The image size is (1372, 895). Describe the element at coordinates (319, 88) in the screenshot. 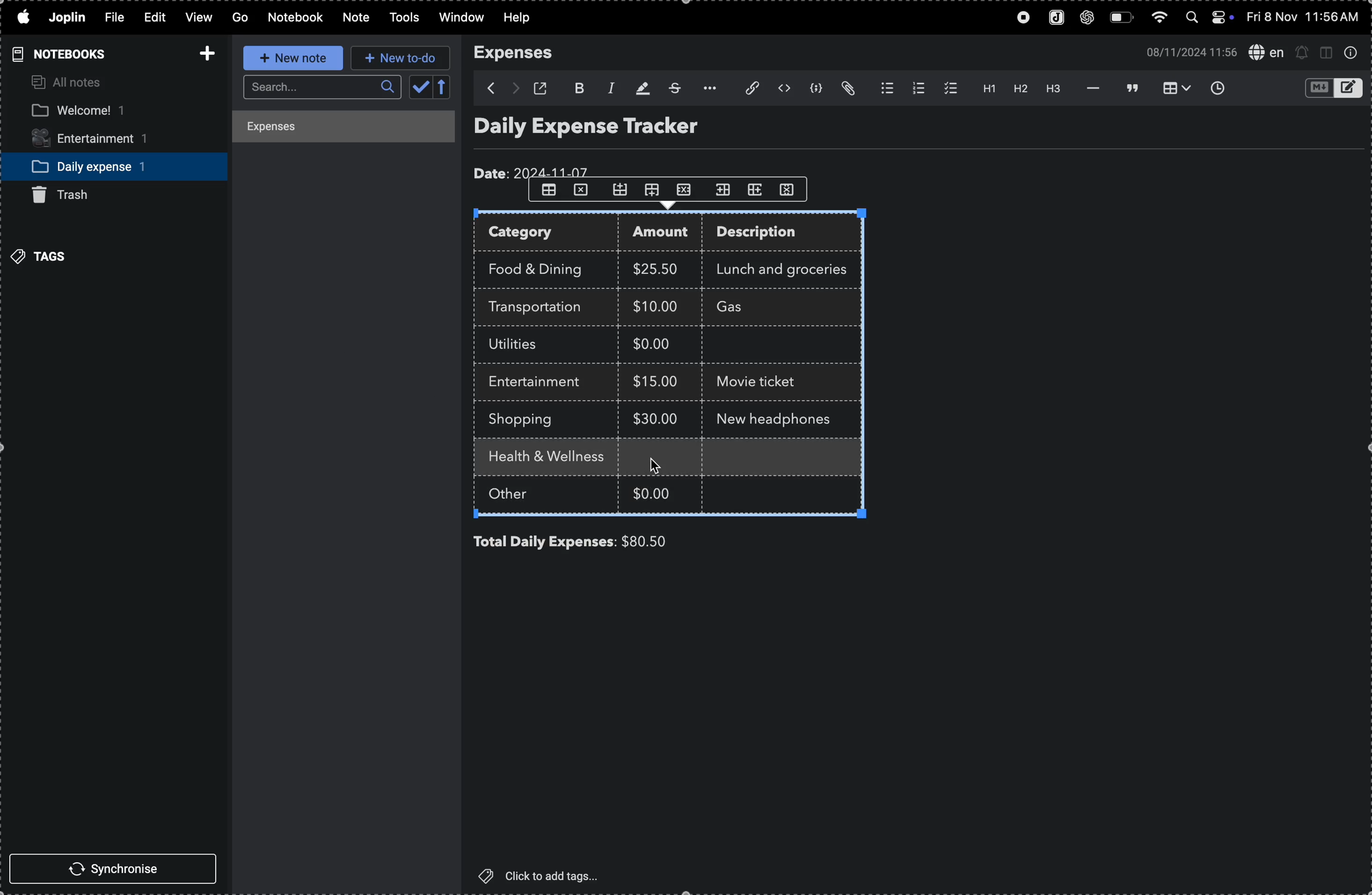

I see `search bar` at that location.